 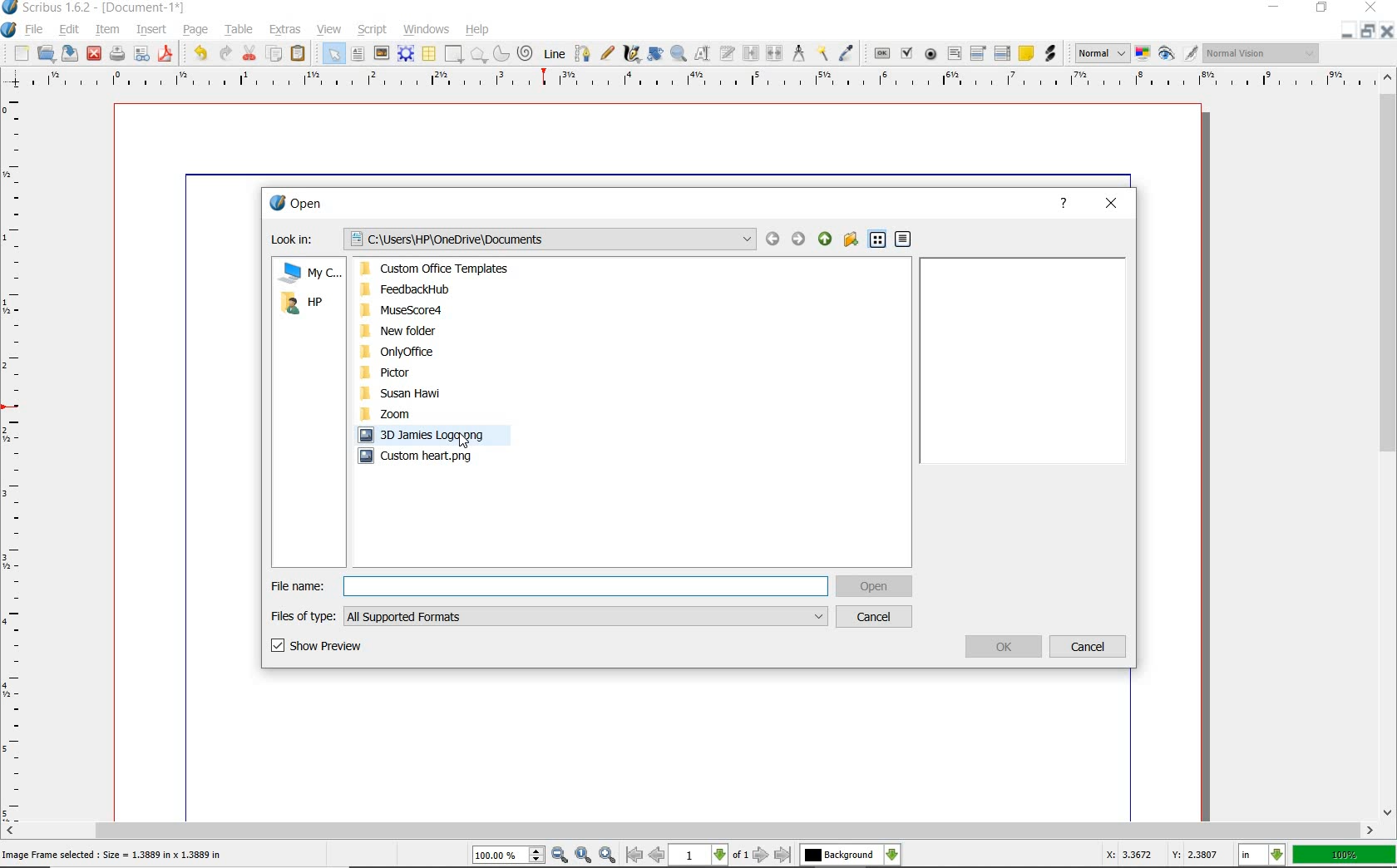 What do you see at coordinates (141, 55) in the screenshot?
I see `preflight verifier` at bounding box center [141, 55].